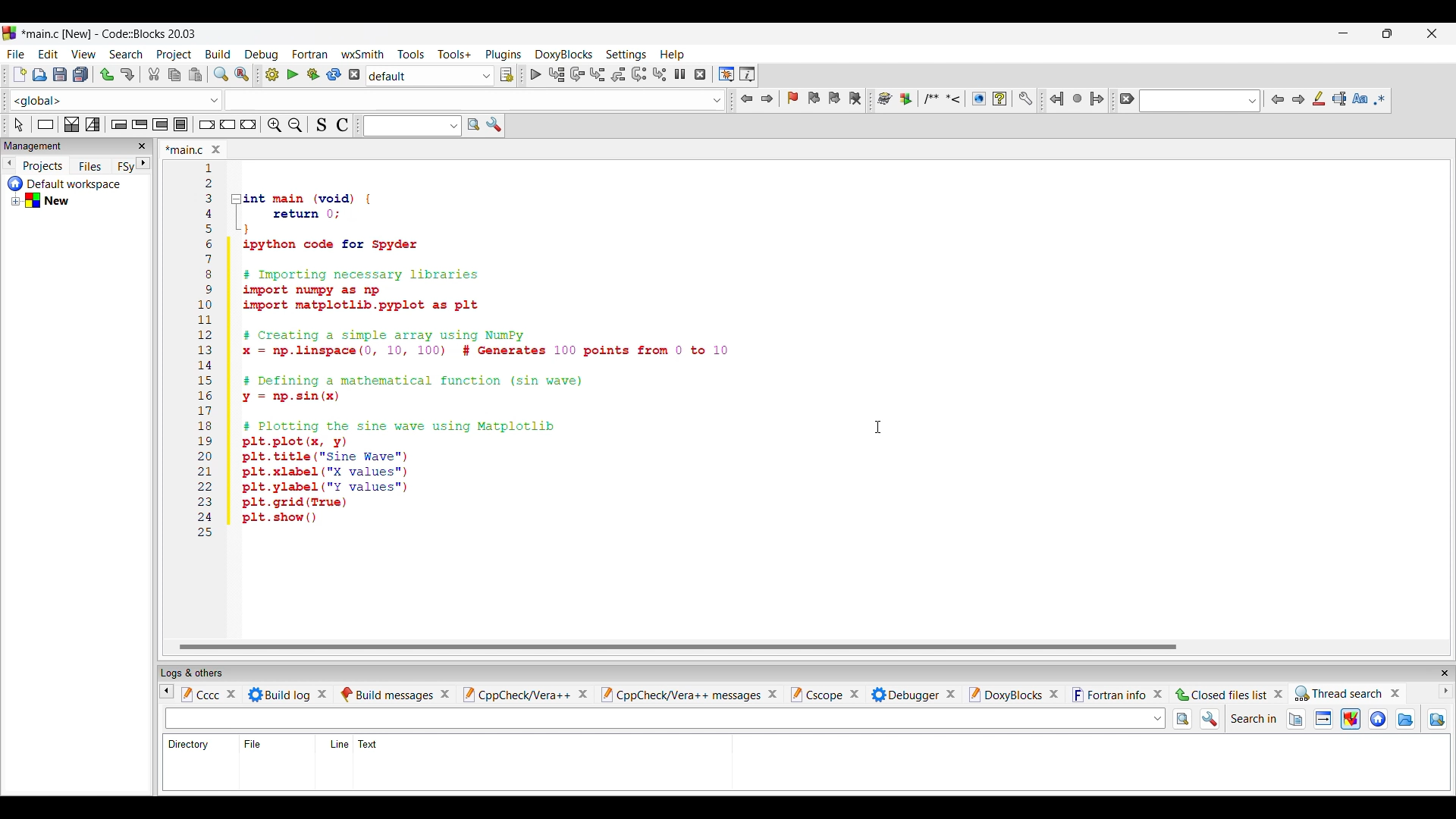 Image resolution: width=1456 pixels, height=819 pixels. Describe the element at coordinates (431, 76) in the screenshot. I see `default` at that location.